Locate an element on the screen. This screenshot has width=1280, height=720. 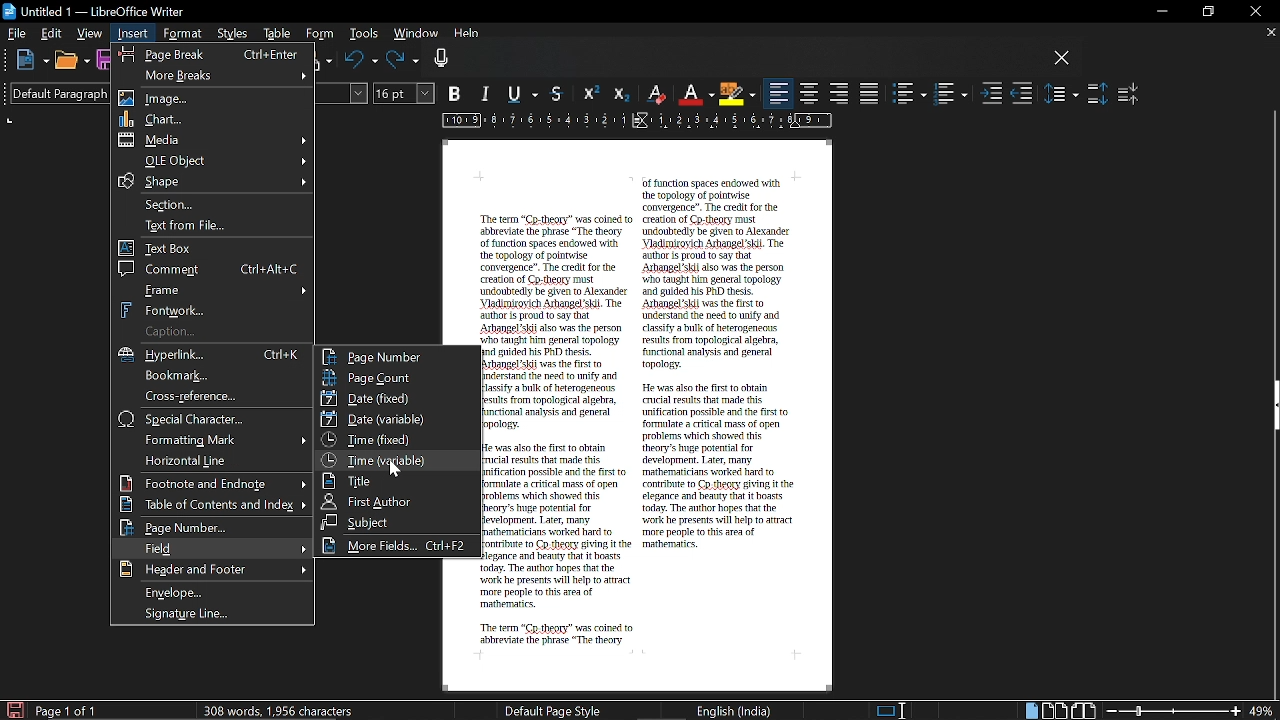
Page number is located at coordinates (211, 528).